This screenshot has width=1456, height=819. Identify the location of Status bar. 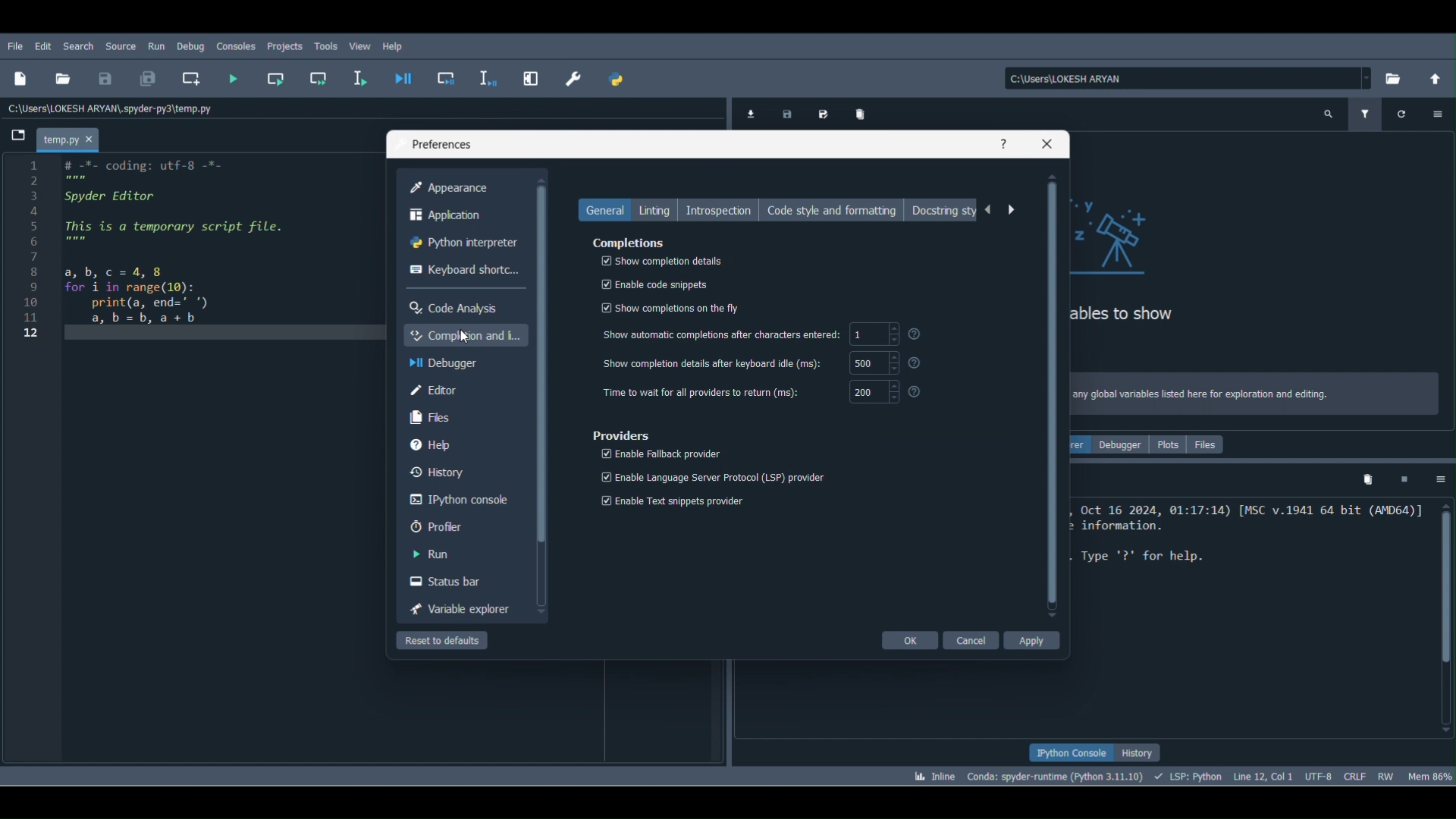
(447, 582).